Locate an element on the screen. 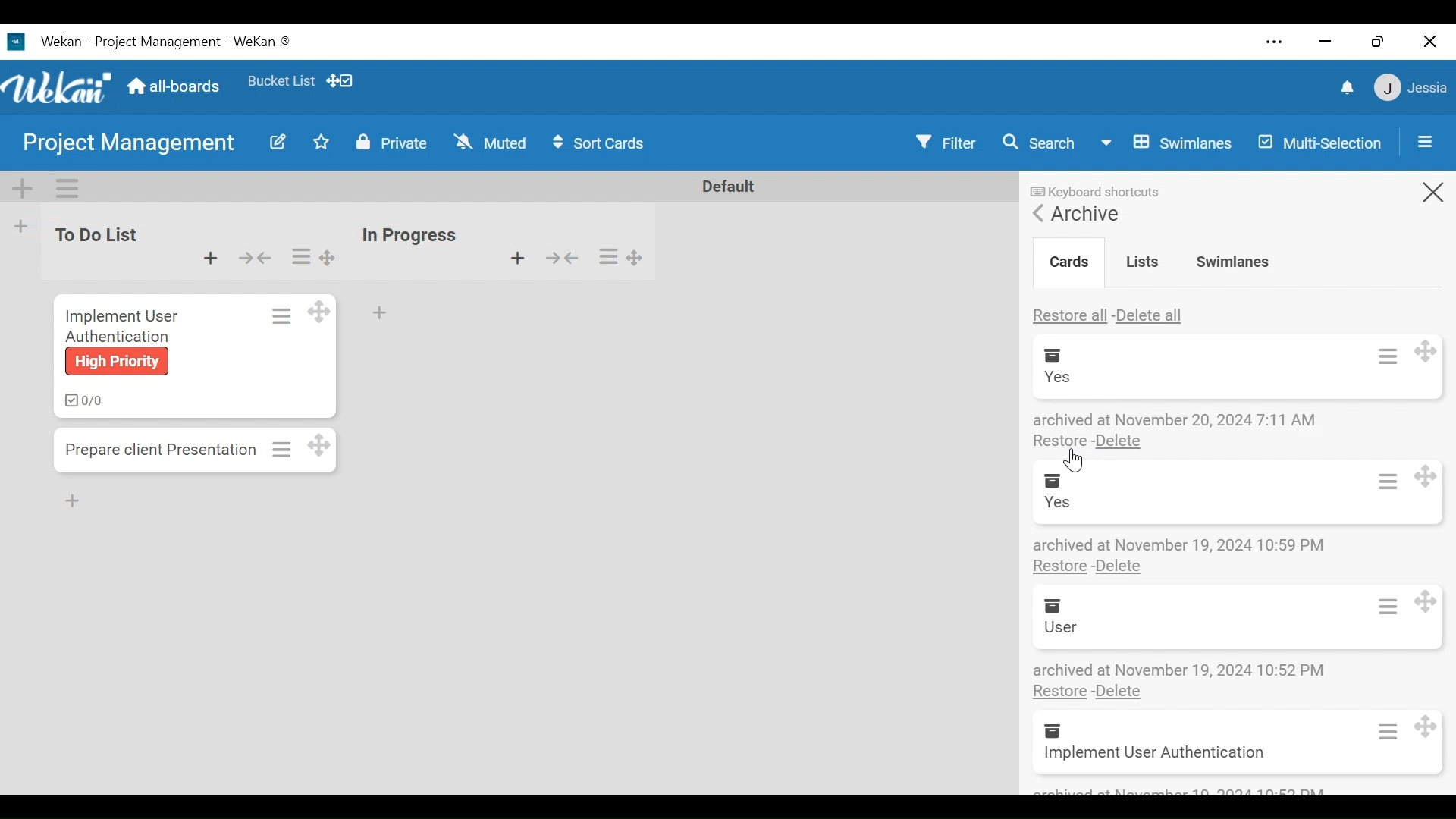 The height and width of the screenshot is (819, 1456). Card actions is located at coordinates (1376, 731).